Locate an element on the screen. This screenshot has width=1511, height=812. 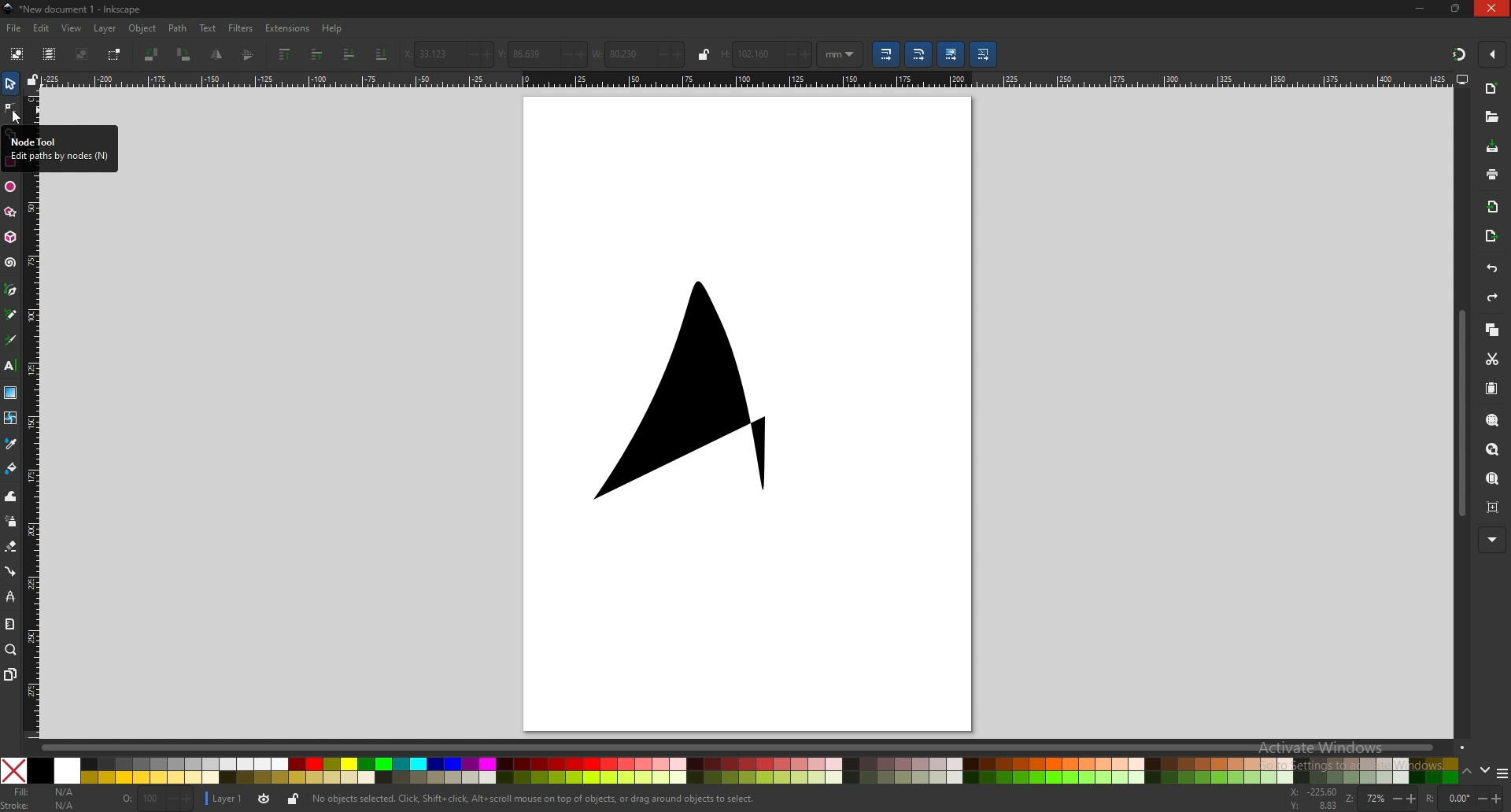
open is located at coordinates (1492, 117).